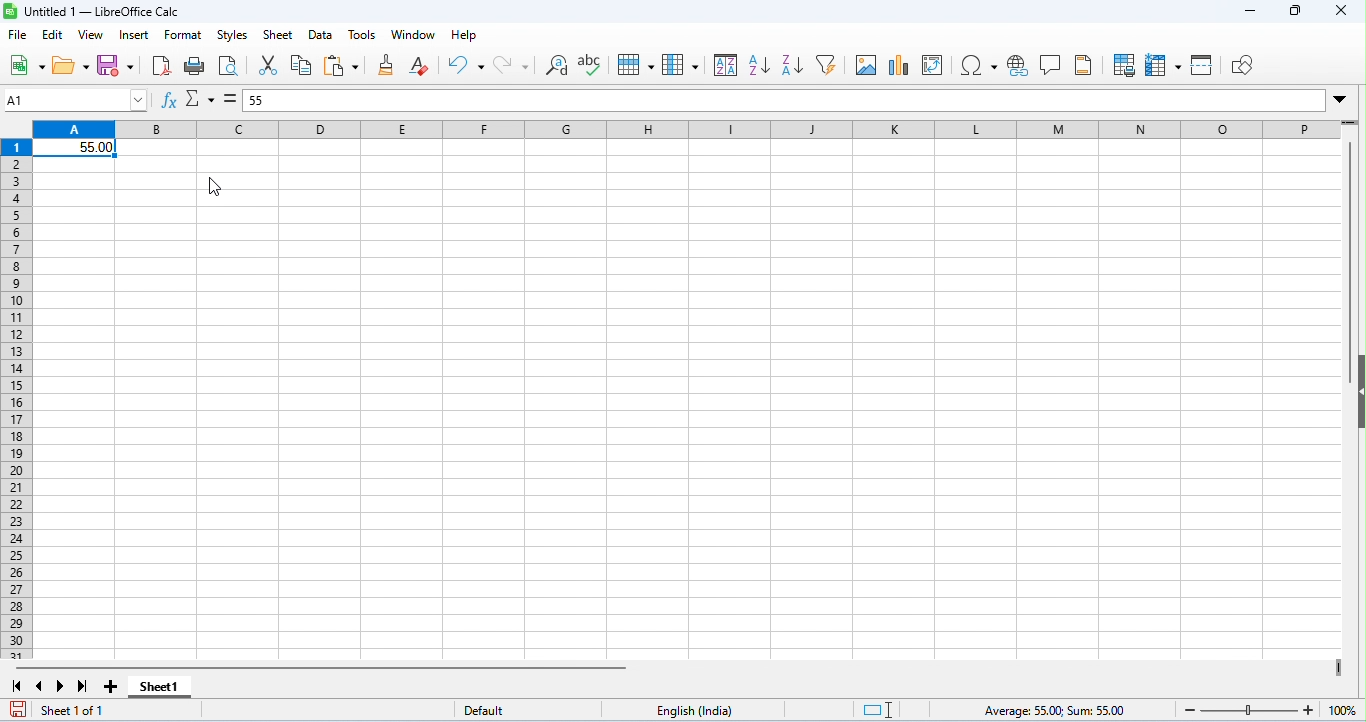 This screenshot has width=1366, height=722. Describe the element at coordinates (792, 66) in the screenshot. I see `sort descending` at that location.